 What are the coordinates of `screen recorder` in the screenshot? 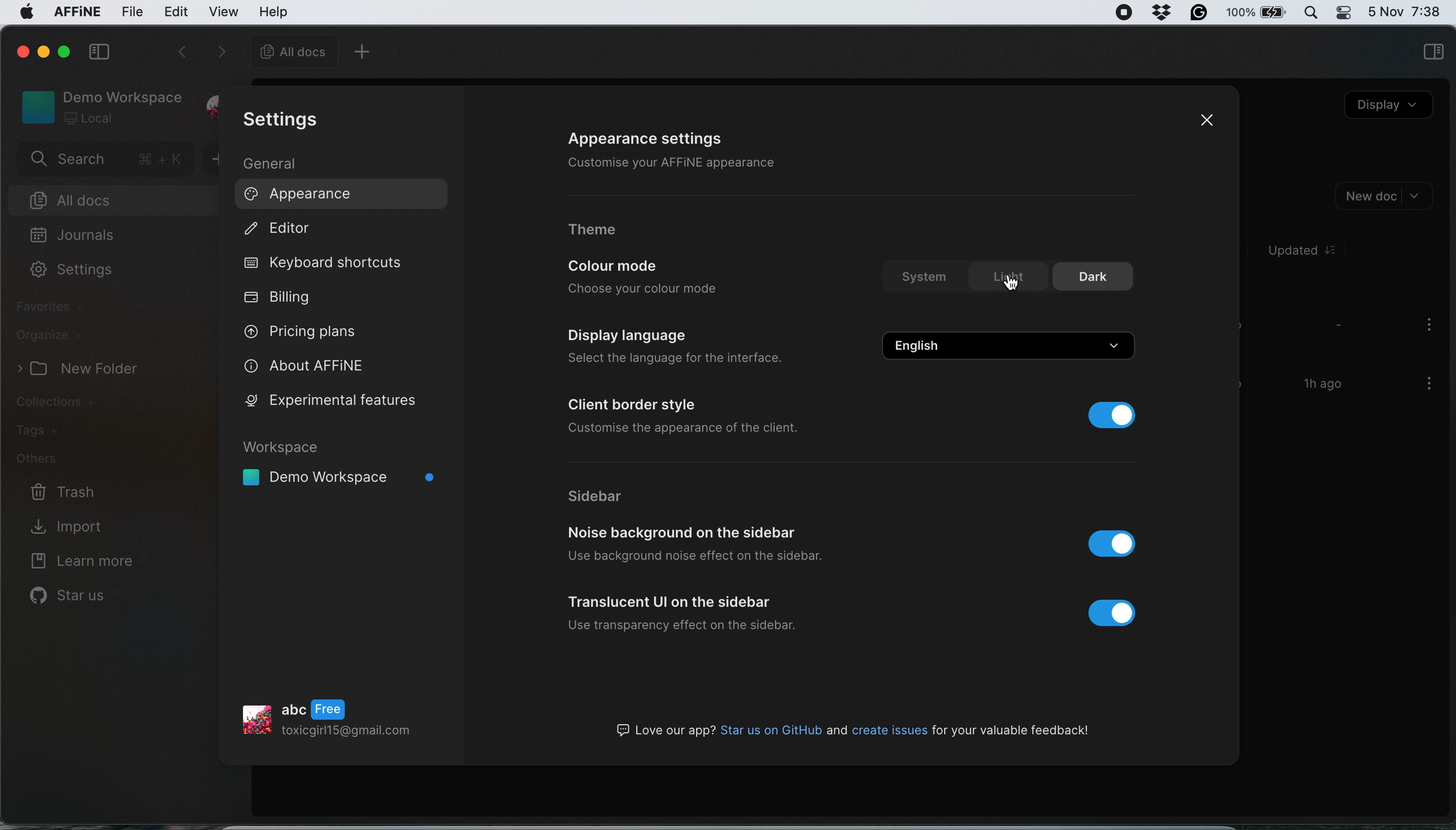 It's located at (1124, 13).